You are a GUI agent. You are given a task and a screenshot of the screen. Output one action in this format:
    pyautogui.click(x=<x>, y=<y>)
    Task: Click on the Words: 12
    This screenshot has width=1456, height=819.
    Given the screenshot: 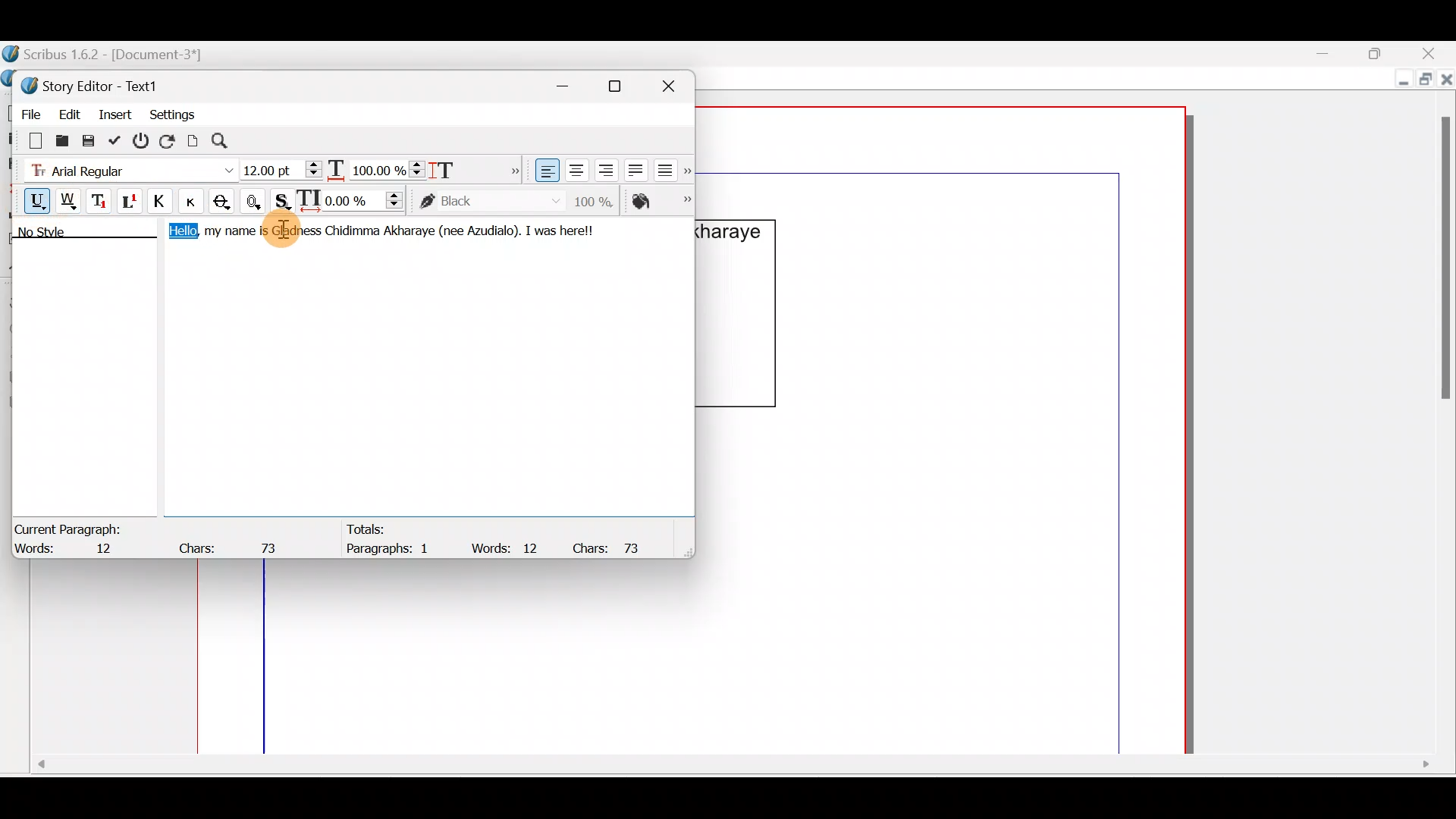 What is the action you would take?
    pyautogui.click(x=72, y=550)
    